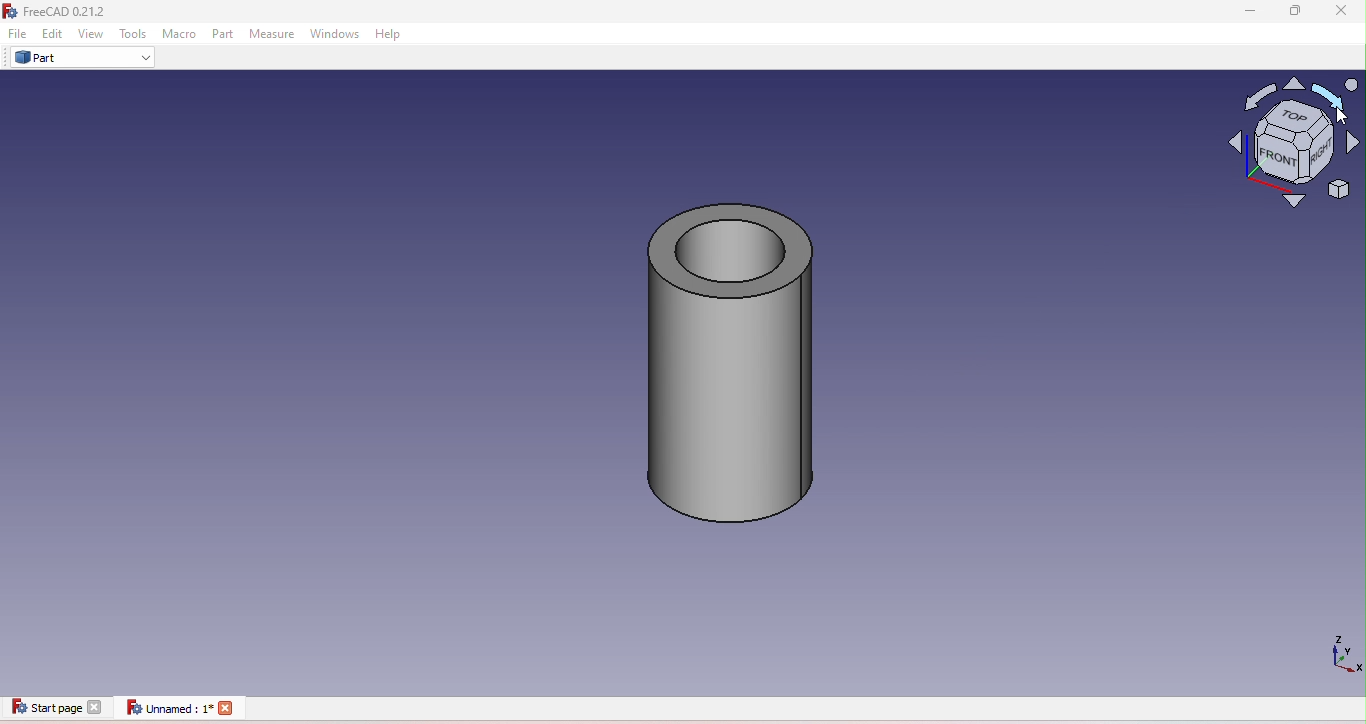 The width and height of the screenshot is (1366, 724). I want to click on Navigation cube, so click(1284, 143).